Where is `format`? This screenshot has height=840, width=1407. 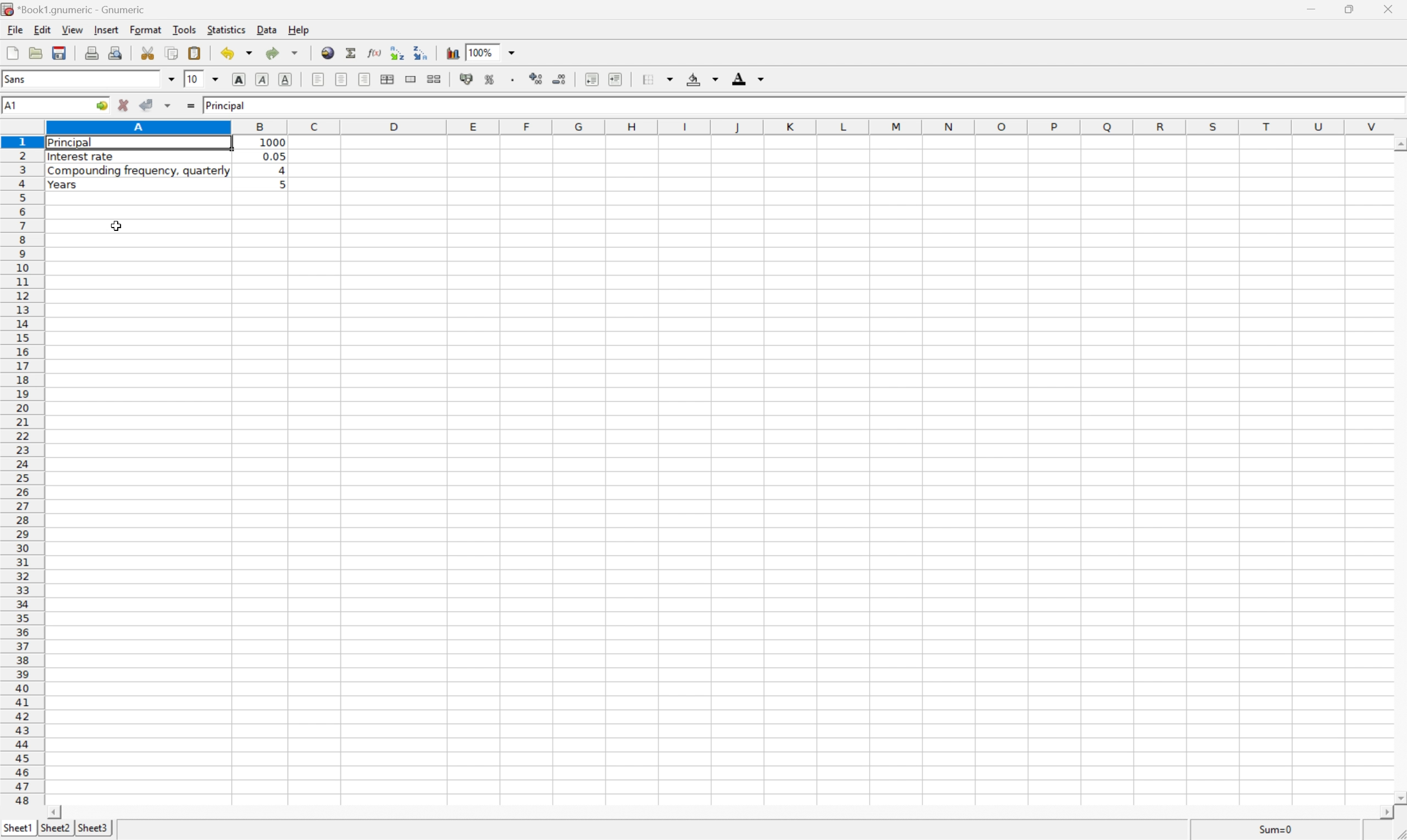 format is located at coordinates (144, 29).